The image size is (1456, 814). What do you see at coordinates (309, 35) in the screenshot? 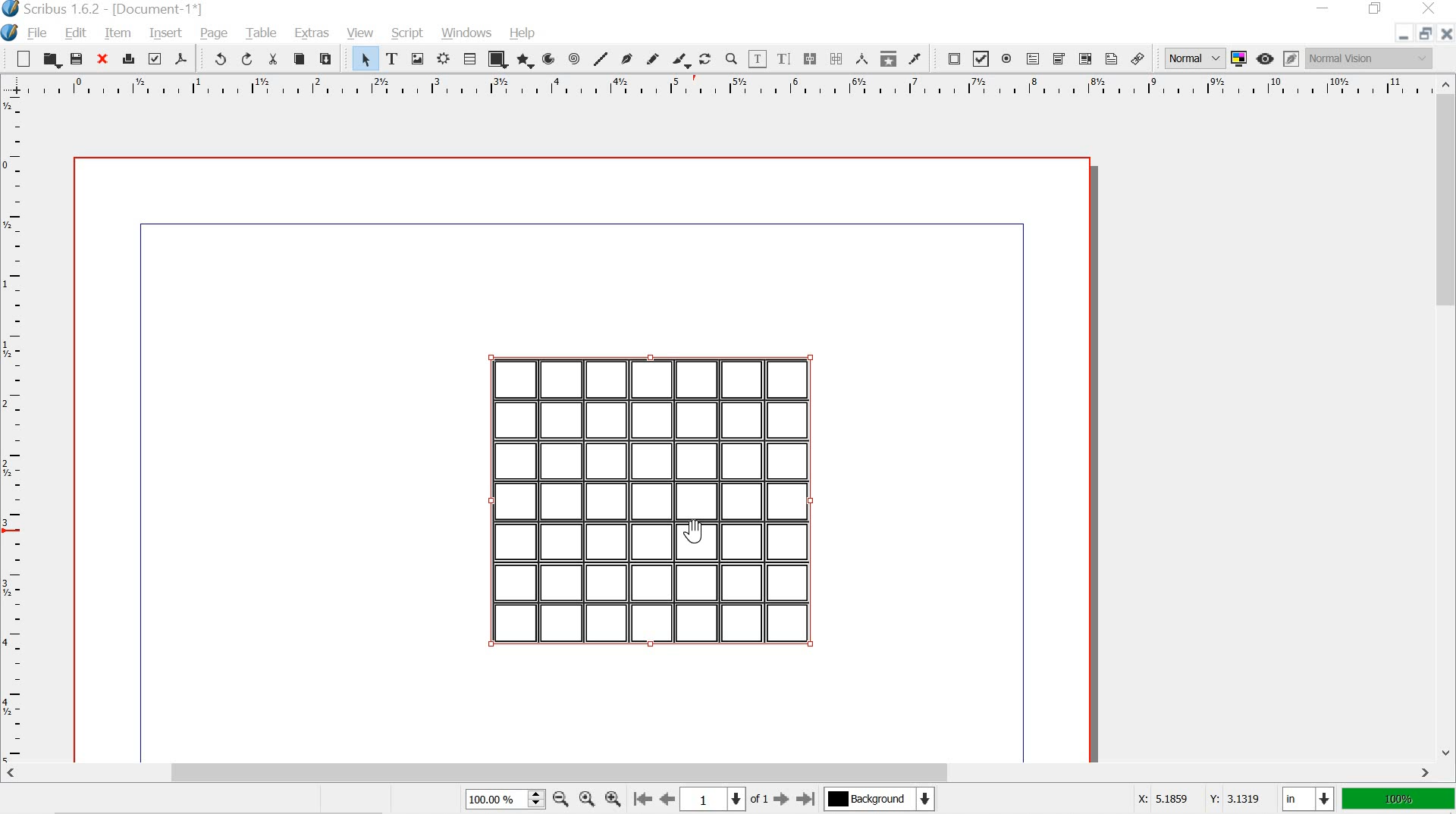
I see `extras` at bounding box center [309, 35].